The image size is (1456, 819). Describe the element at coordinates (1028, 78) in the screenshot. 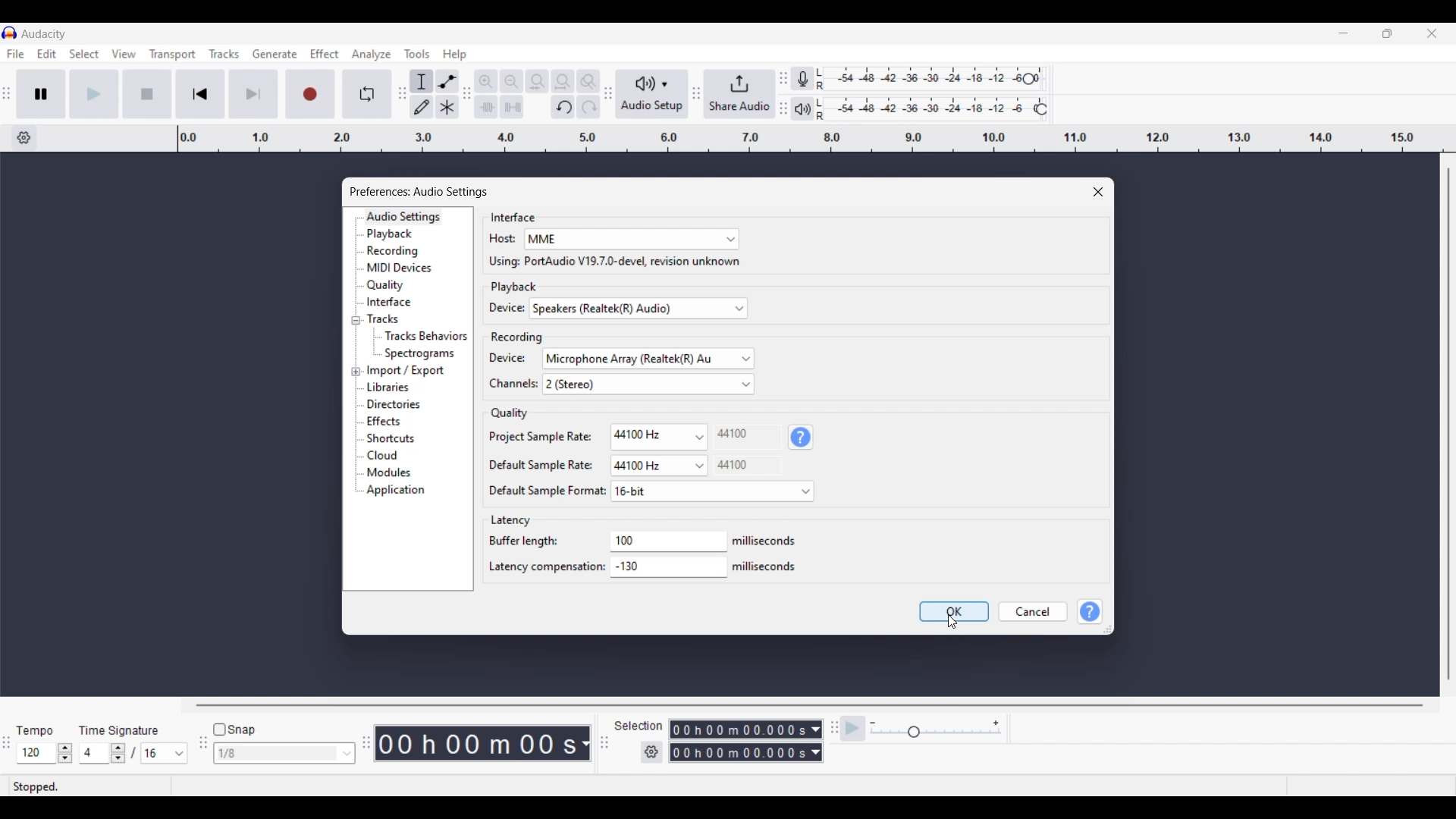

I see `Change recording level` at that location.